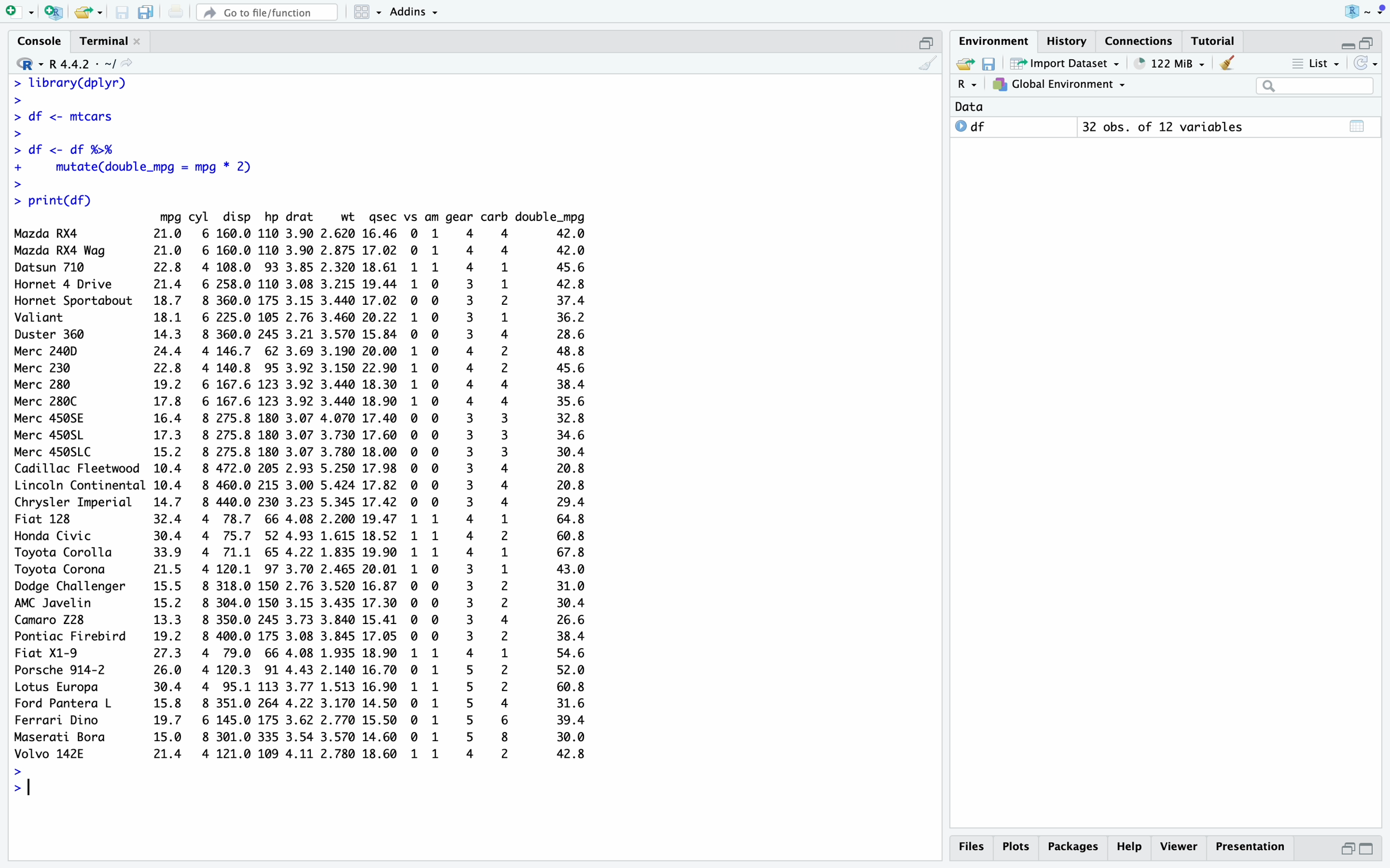  Describe the element at coordinates (41, 41) in the screenshot. I see `console` at that location.